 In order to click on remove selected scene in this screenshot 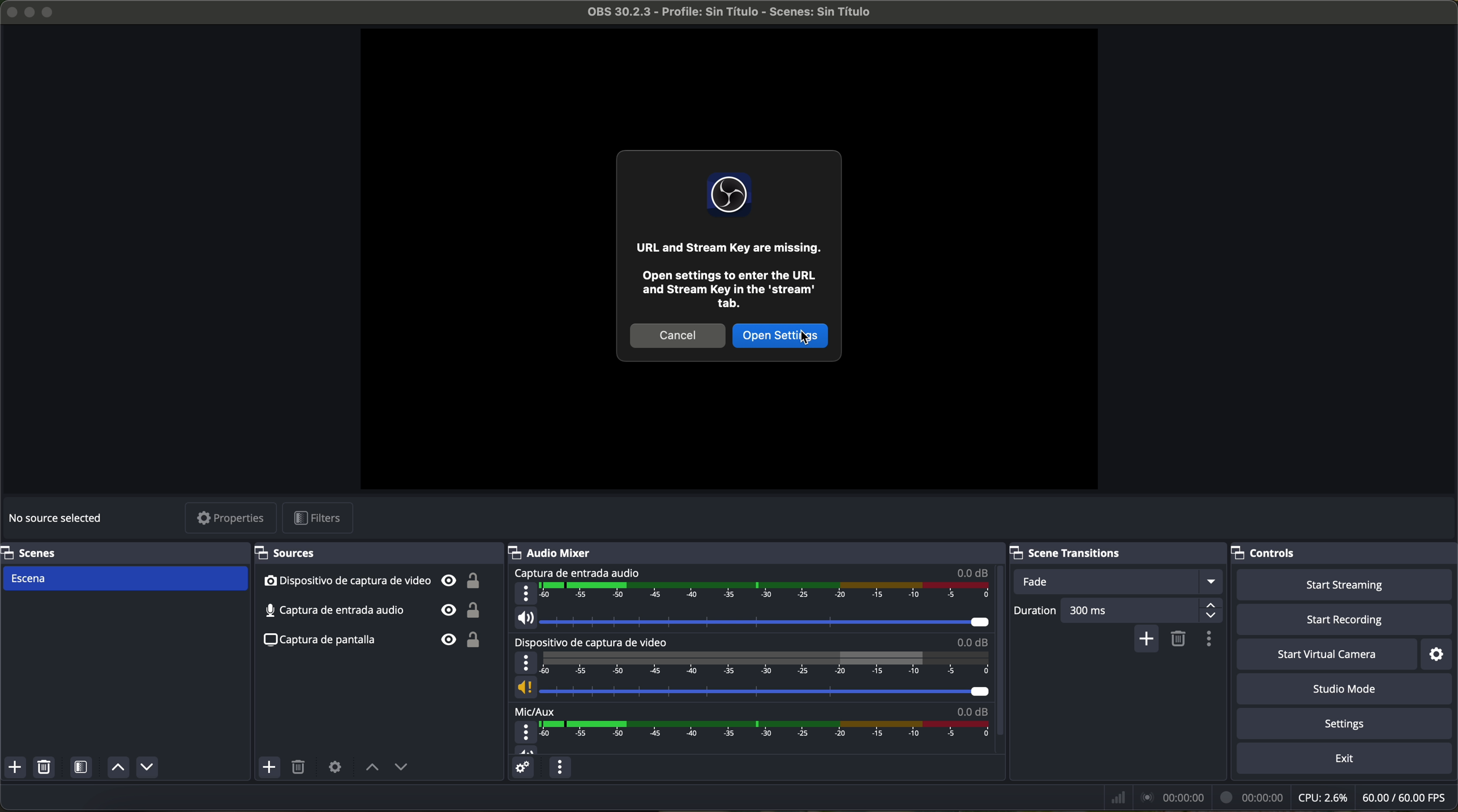, I will do `click(46, 769)`.